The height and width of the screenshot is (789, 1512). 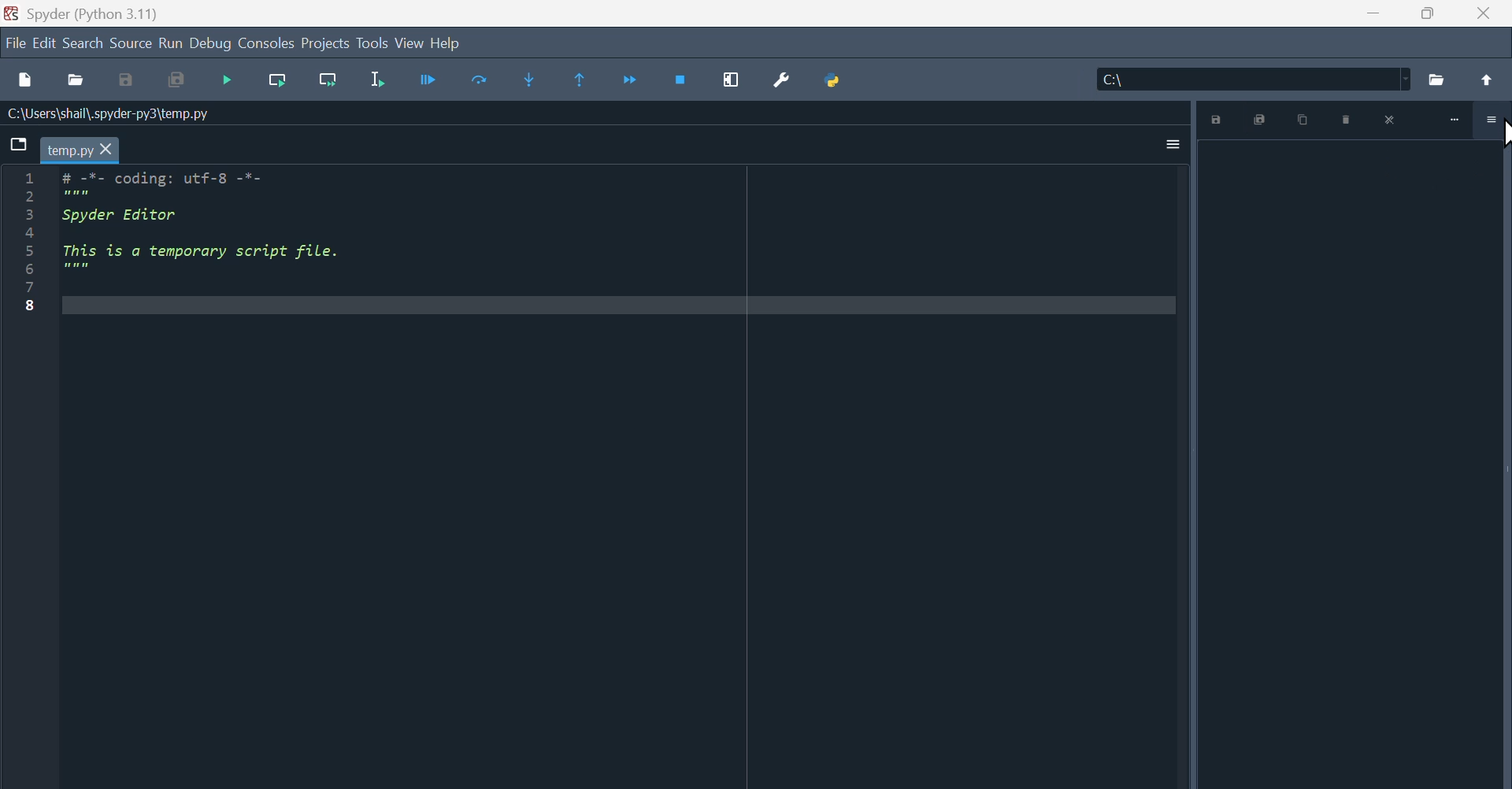 I want to click on save plot as, so click(x=1215, y=119).